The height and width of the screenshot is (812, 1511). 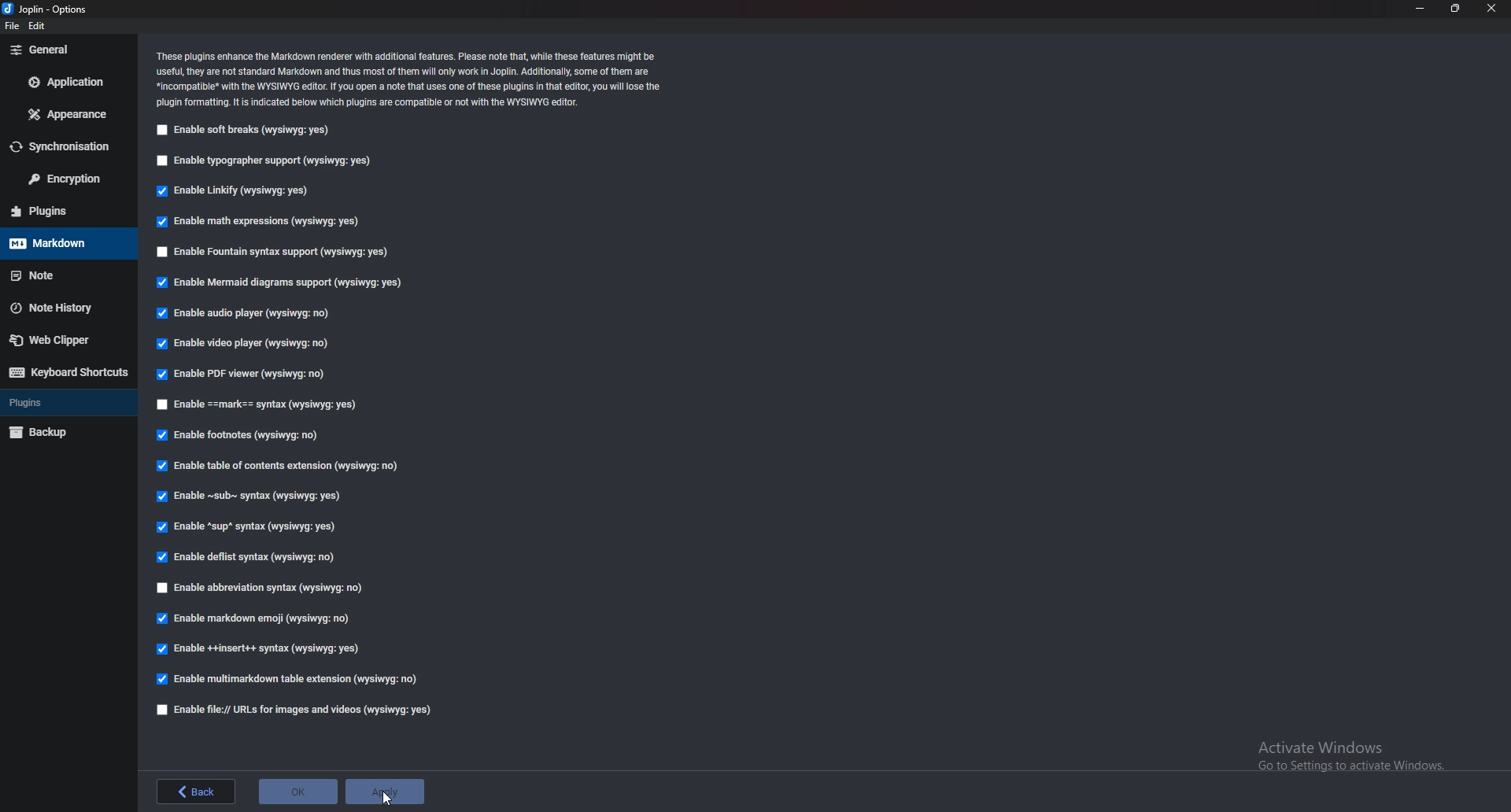 I want to click on enable typographer support, so click(x=265, y=164).